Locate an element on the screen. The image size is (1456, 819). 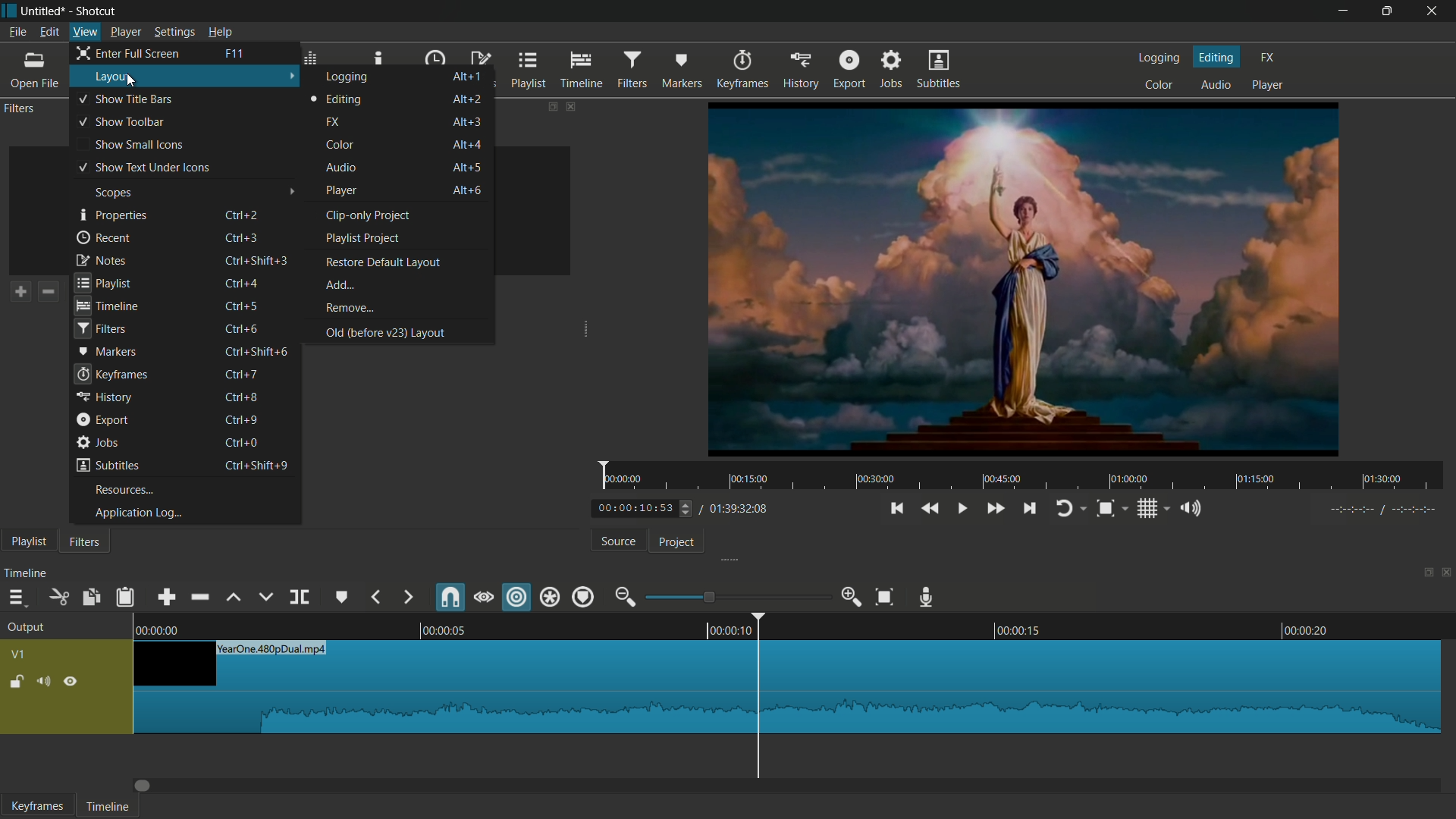
open other is located at coordinates (35, 72).